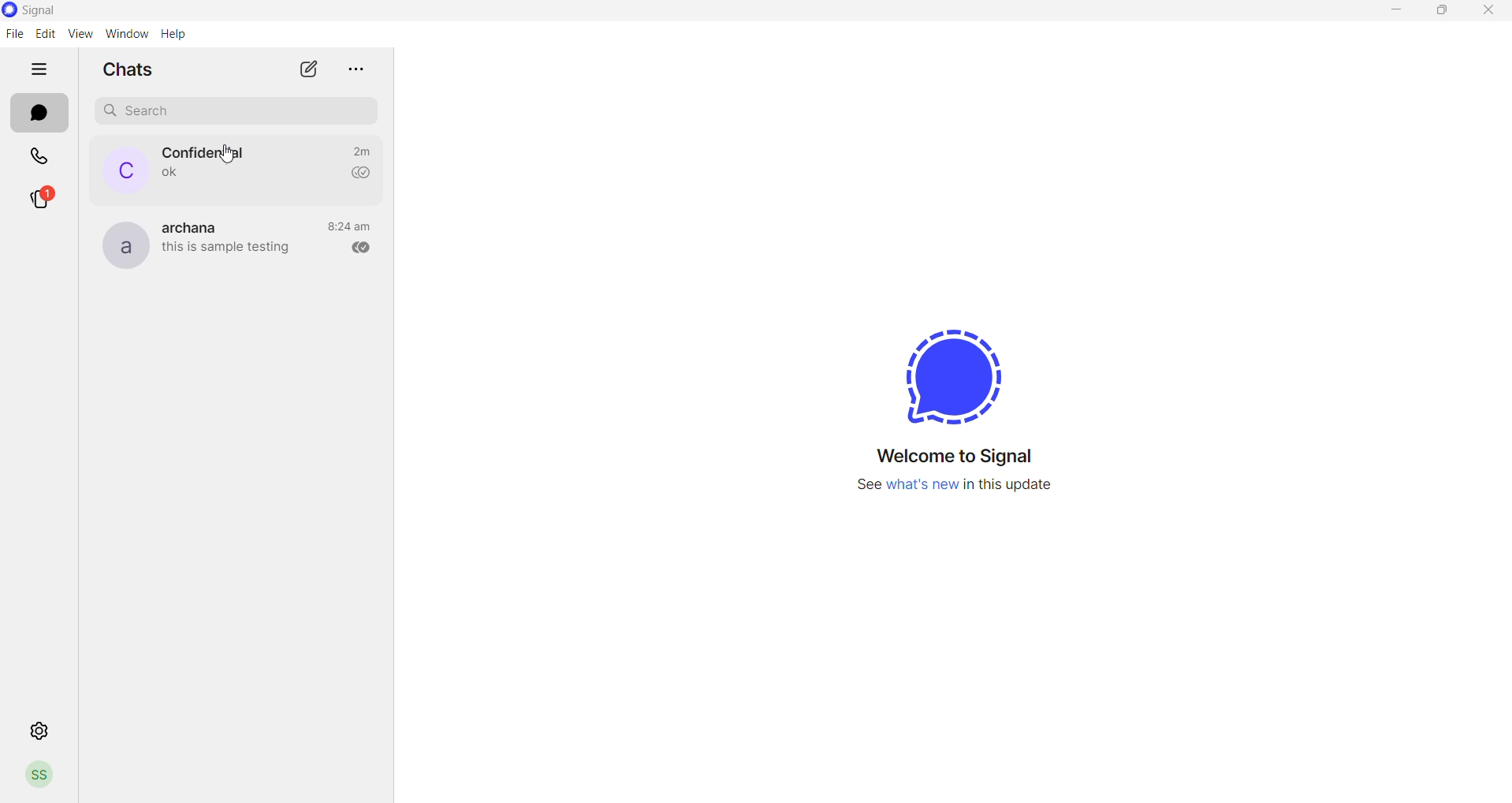  What do you see at coordinates (80, 33) in the screenshot?
I see `view` at bounding box center [80, 33].